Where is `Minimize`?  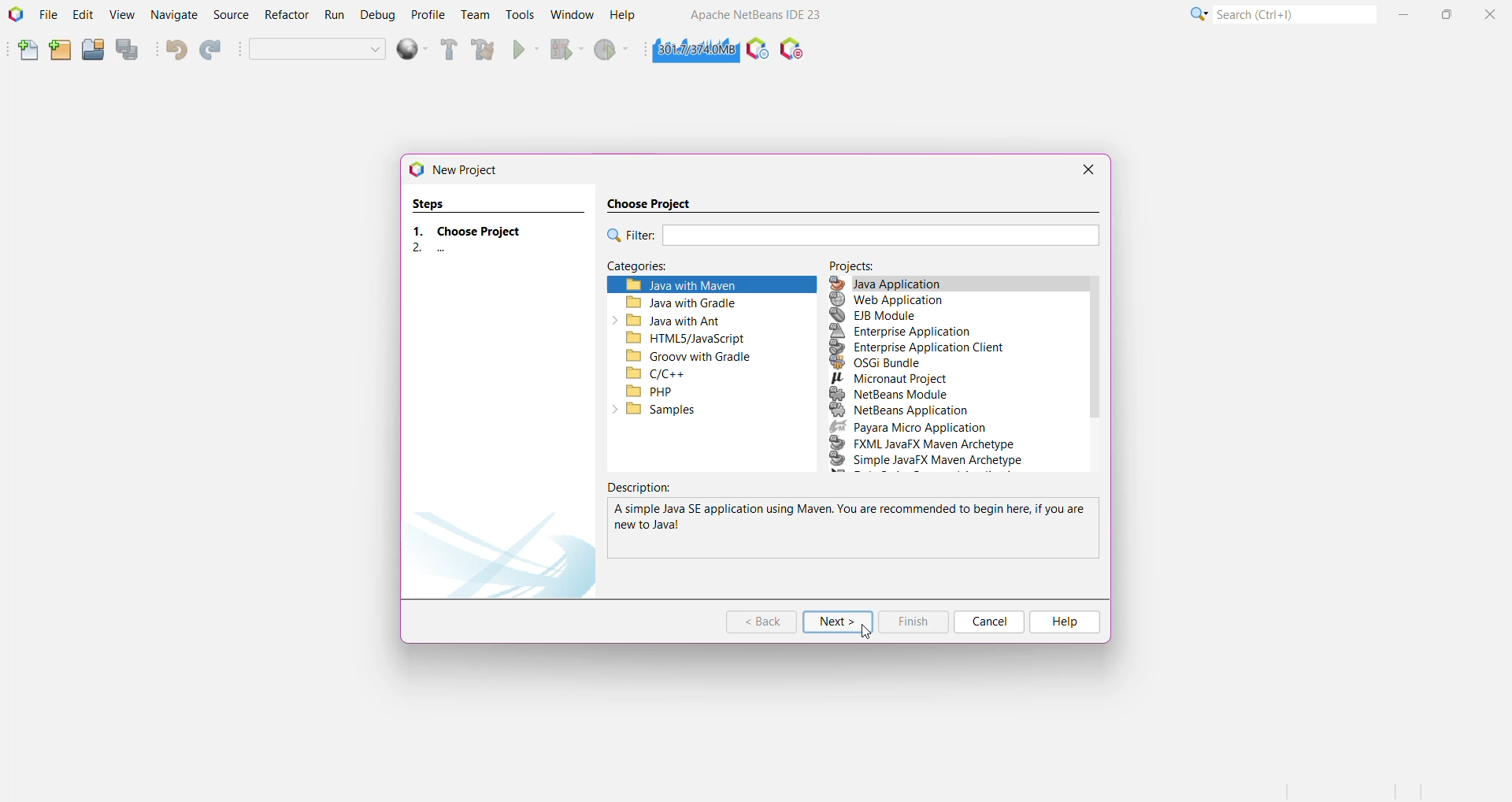
Minimize is located at coordinates (1404, 16).